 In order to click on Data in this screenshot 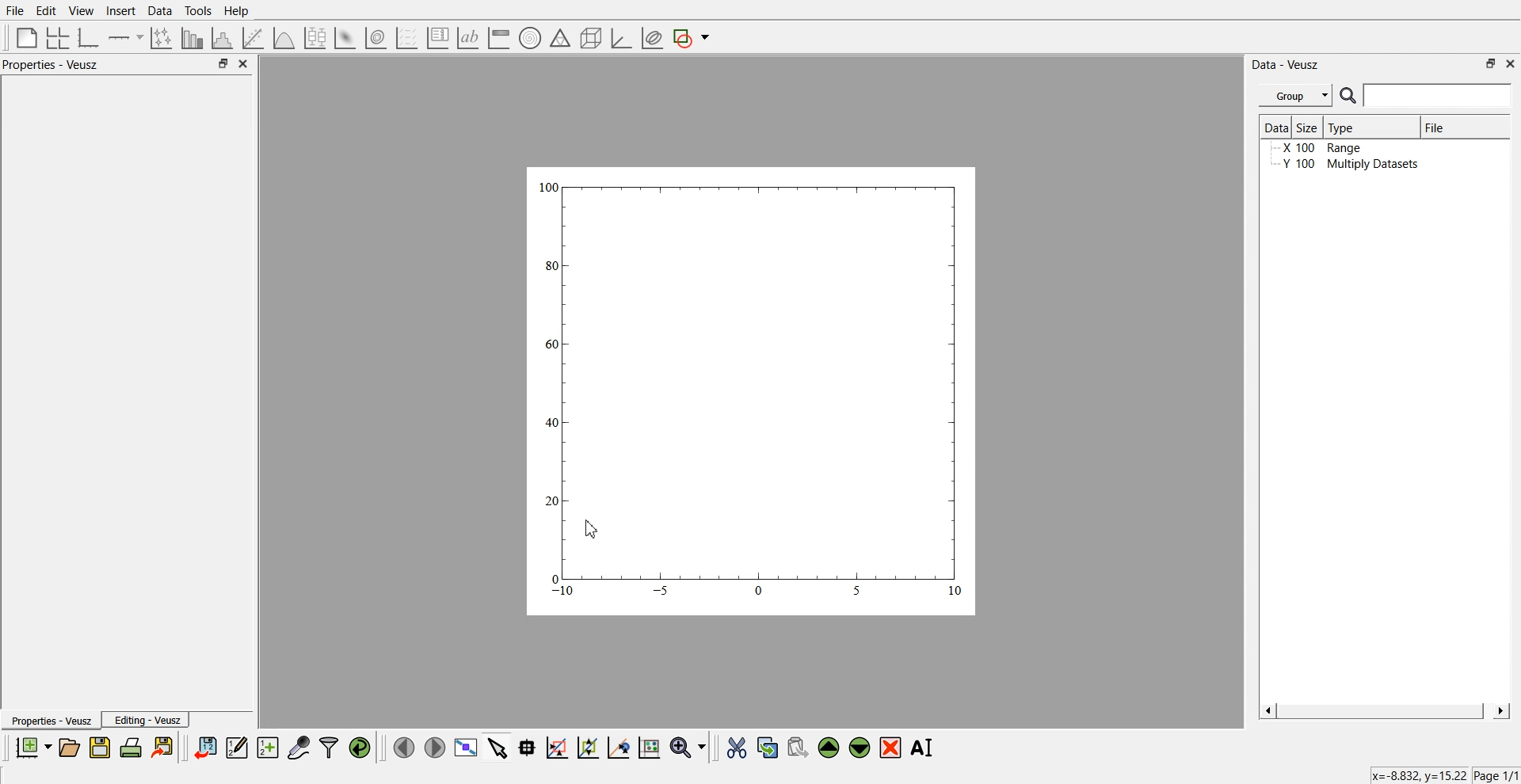, I will do `click(159, 11)`.